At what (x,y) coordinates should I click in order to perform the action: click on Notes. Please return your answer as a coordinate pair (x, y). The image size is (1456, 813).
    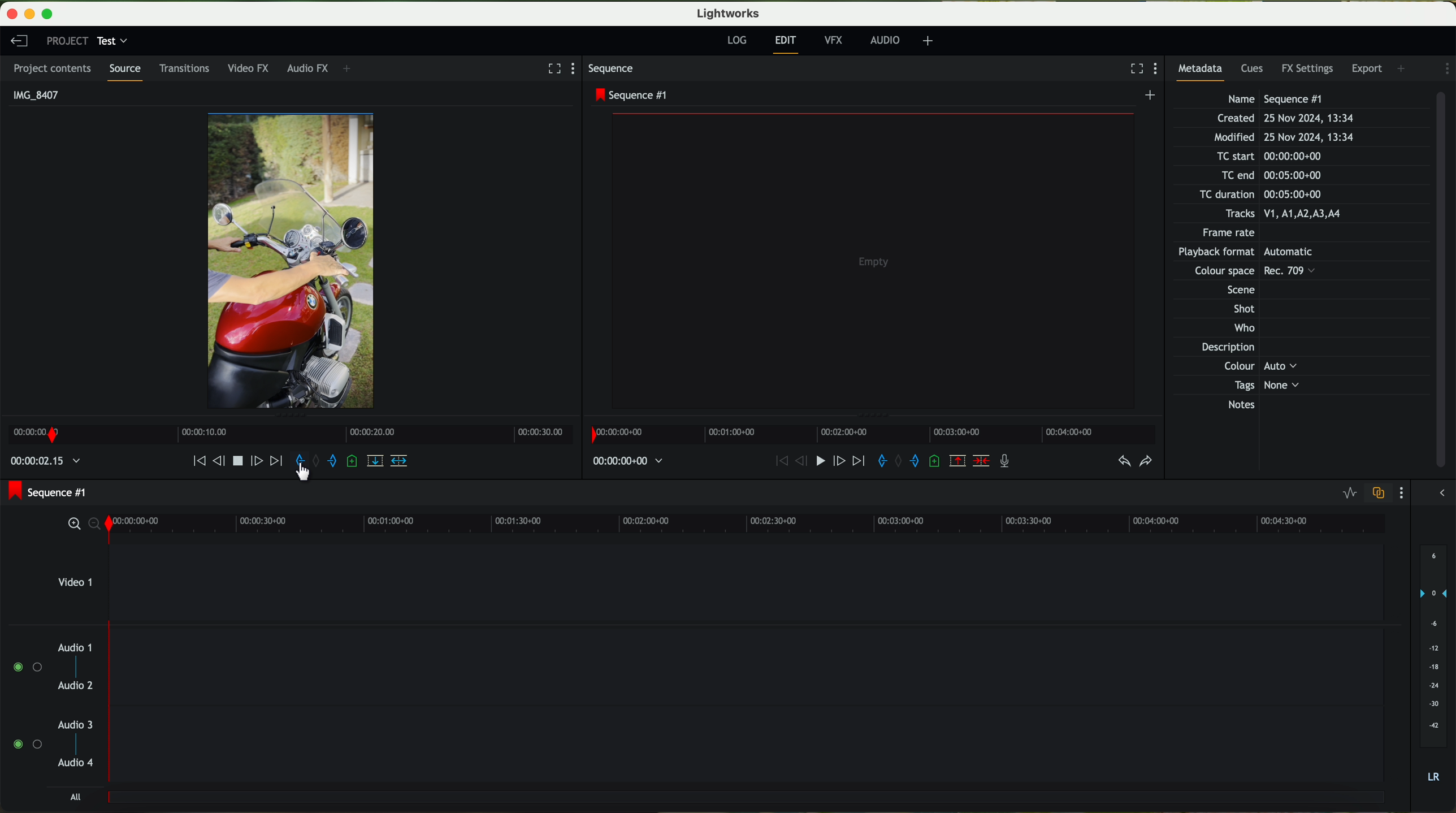
    Looking at the image, I should click on (1255, 405).